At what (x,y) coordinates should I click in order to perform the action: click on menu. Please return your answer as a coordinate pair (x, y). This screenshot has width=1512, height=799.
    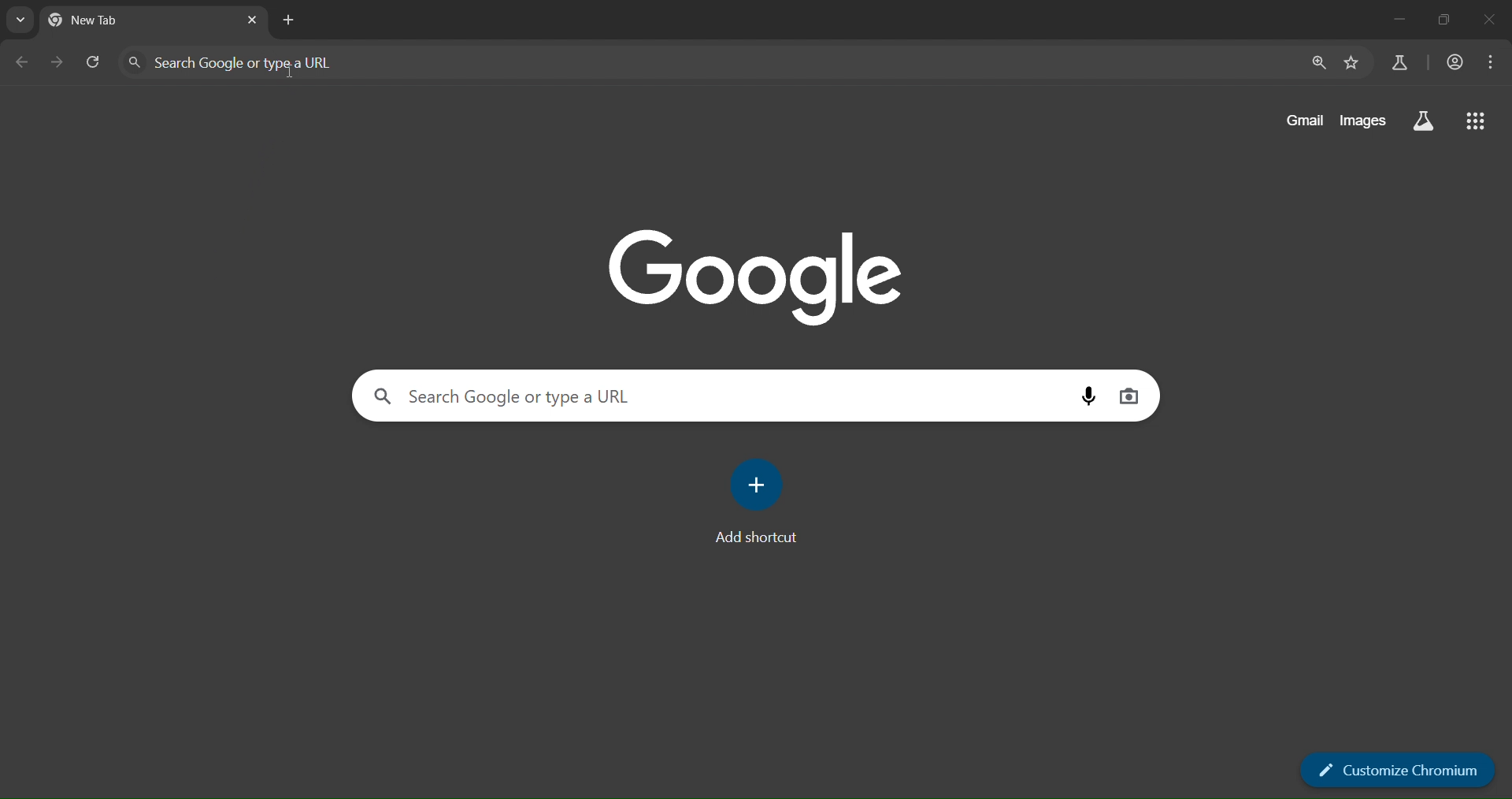
    Looking at the image, I should click on (1489, 62).